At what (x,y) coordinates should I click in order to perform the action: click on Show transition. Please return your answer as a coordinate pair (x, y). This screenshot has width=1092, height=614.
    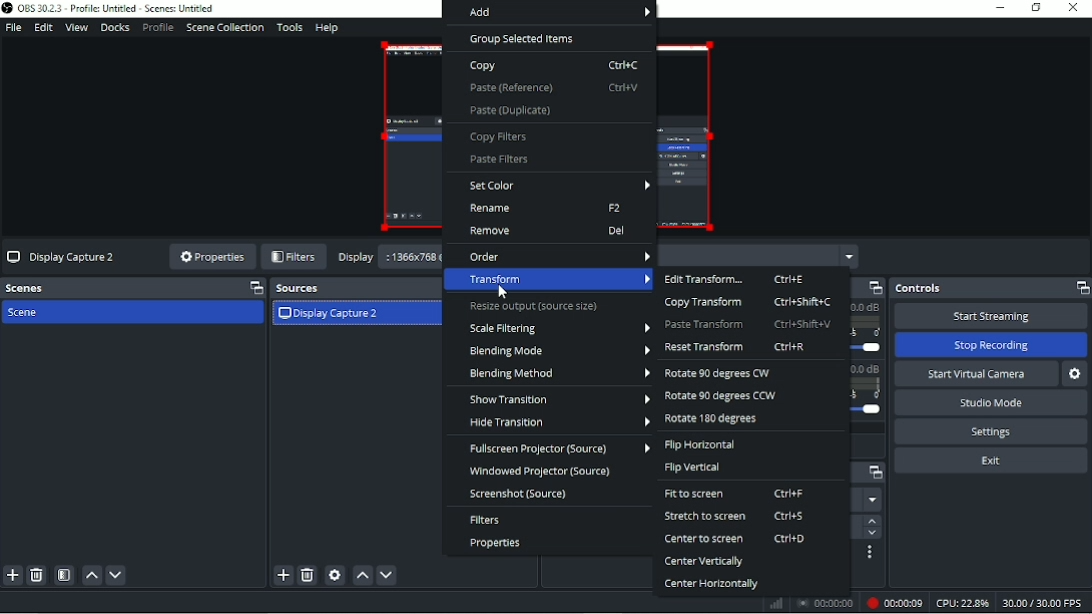
    Looking at the image, I should click on (559, 399).